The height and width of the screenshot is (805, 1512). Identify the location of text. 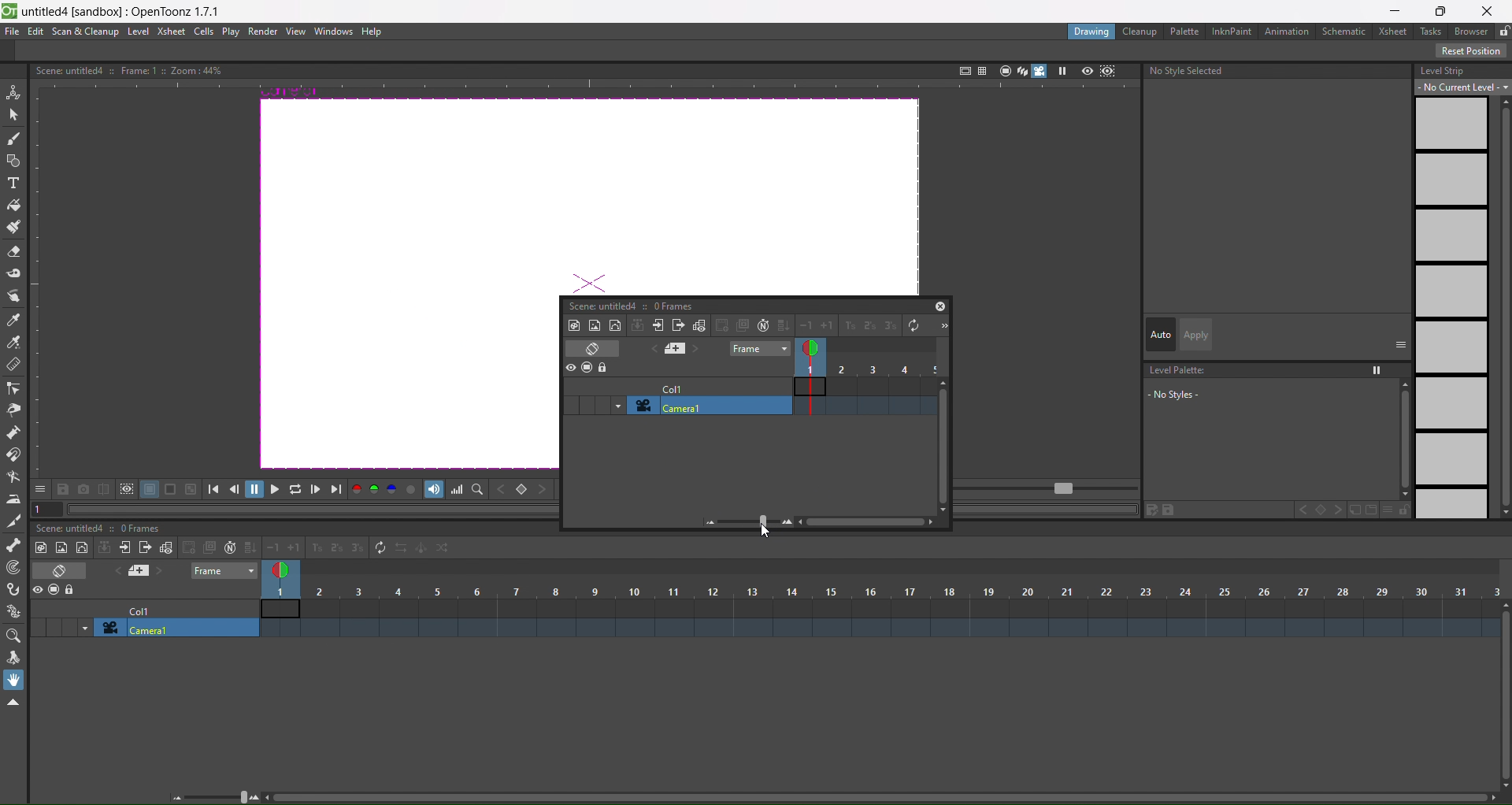
(1189, 71).